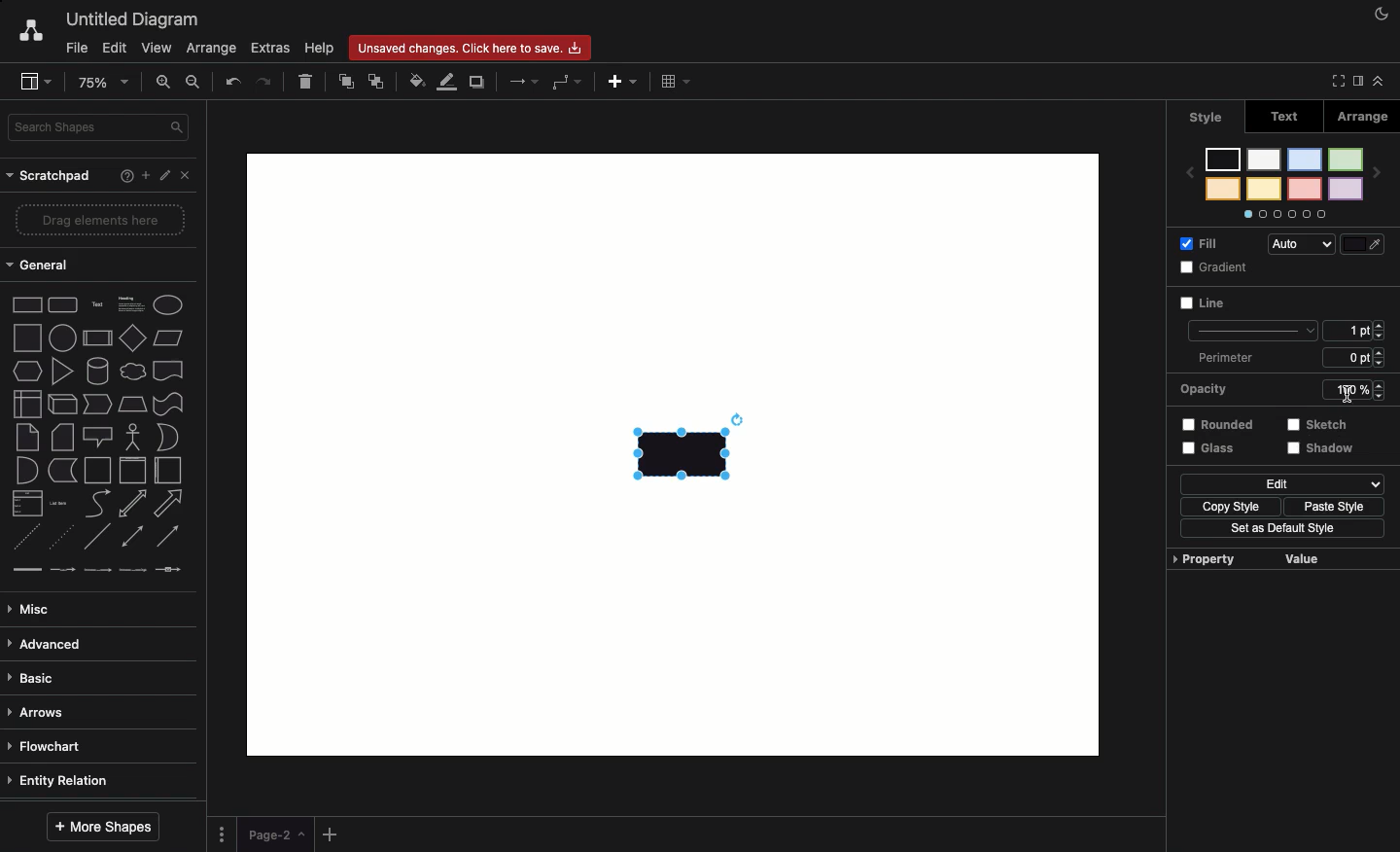  I want to click on or, so click(172, 437).